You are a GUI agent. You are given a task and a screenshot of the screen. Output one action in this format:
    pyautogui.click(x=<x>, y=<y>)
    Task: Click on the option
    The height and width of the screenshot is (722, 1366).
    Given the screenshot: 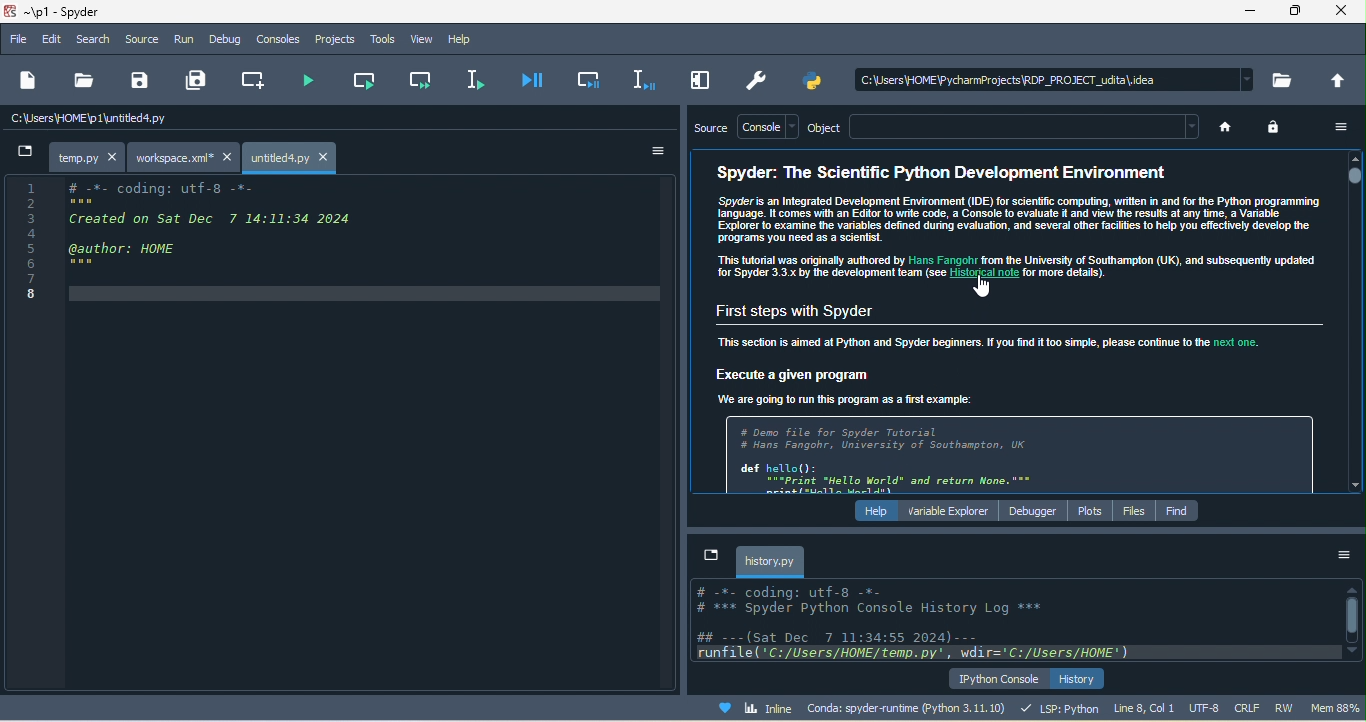 What is the action you would take?
    pyautogui.click(x=1342, y=127)
    